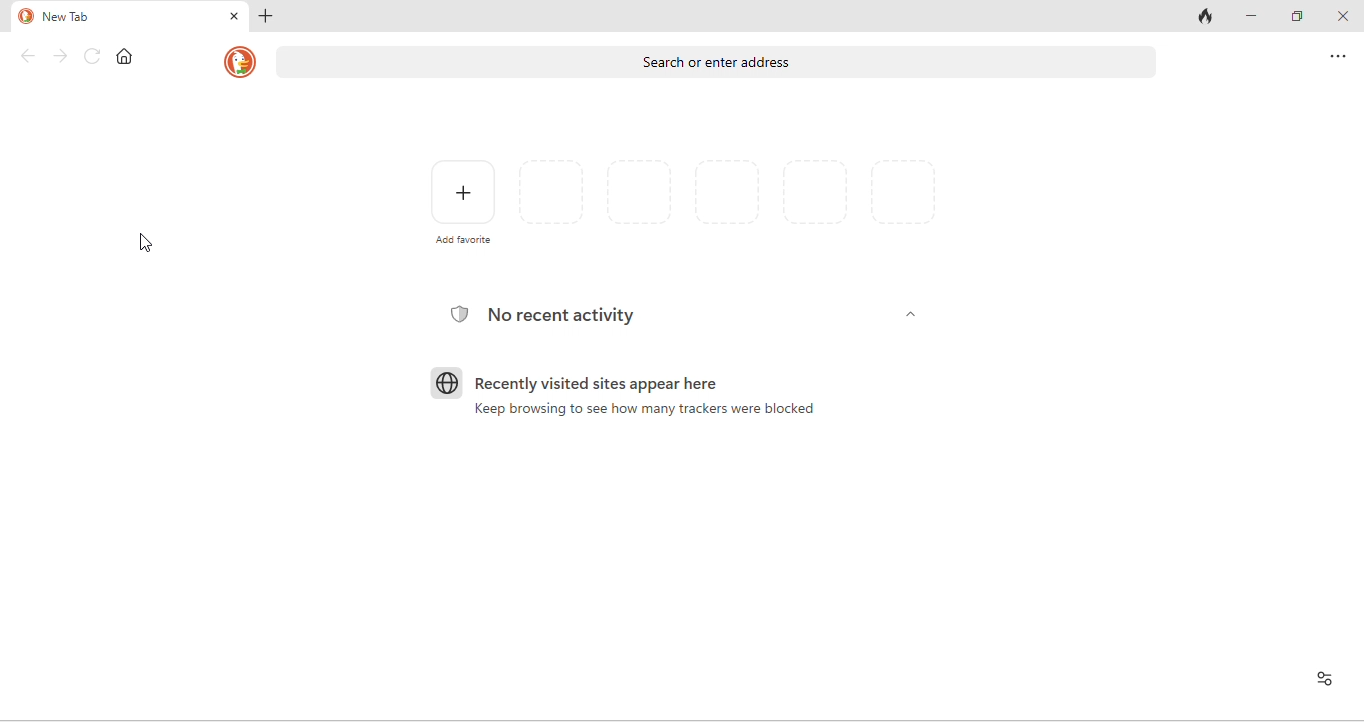  I want to click on search or enter address, so click(721, 67).